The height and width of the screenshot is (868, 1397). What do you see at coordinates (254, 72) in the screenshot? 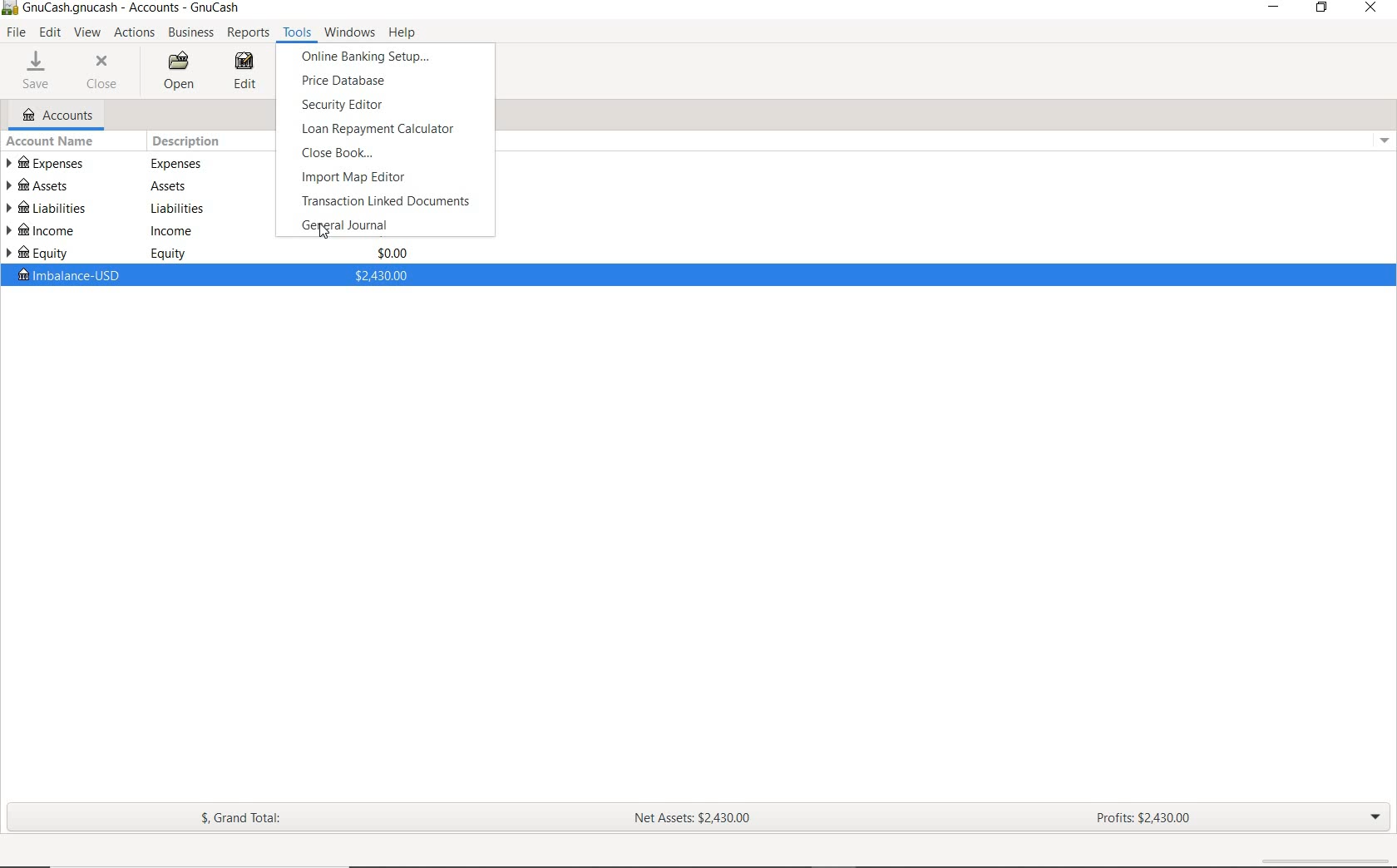
I see `EDIT` at bounding box center [254, 72].